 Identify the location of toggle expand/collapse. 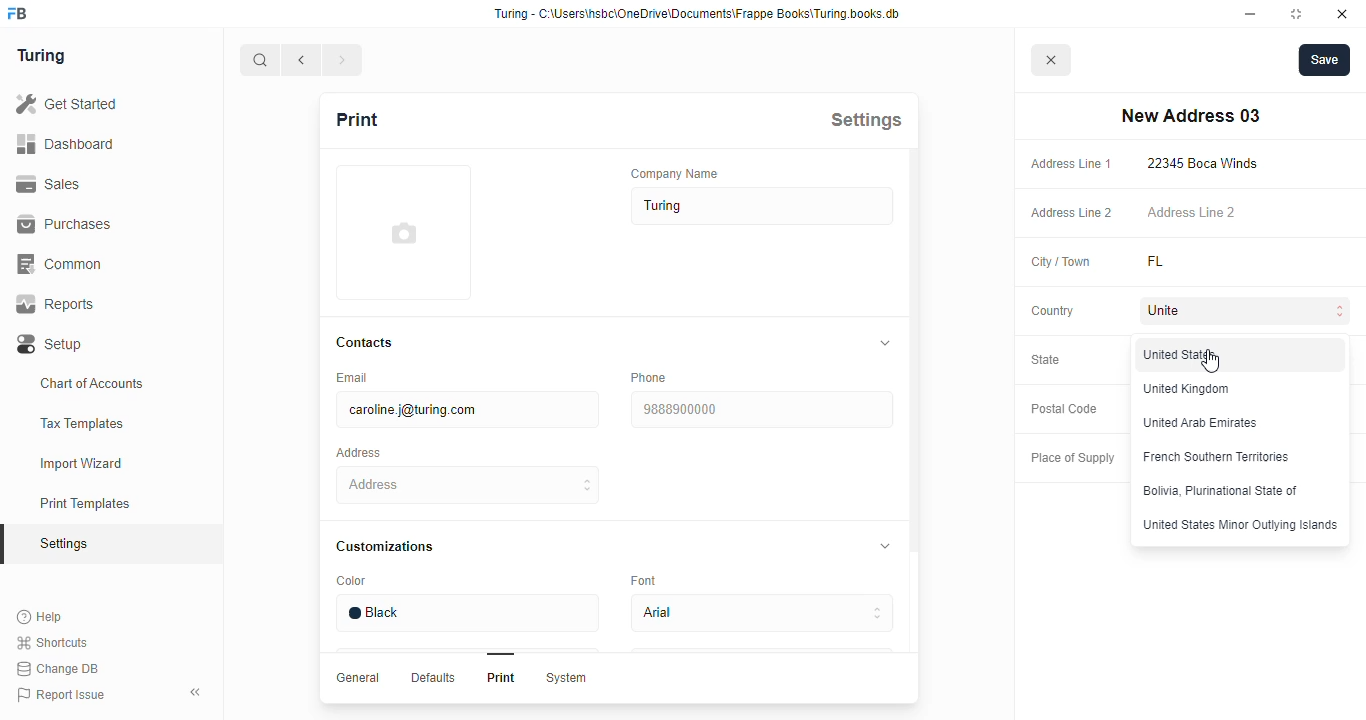
(881, 343).